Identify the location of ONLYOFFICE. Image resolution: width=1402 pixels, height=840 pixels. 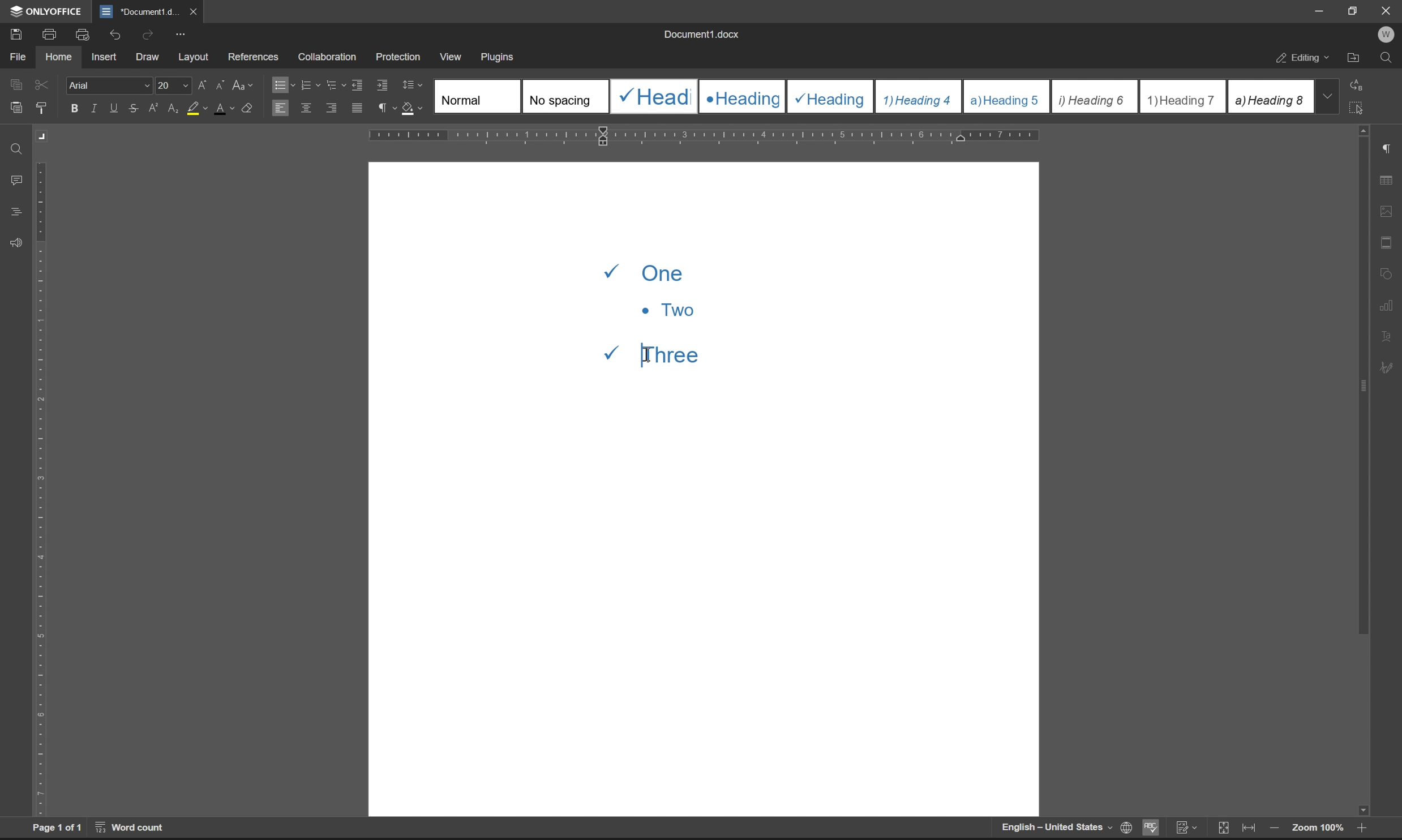
(48, 11).